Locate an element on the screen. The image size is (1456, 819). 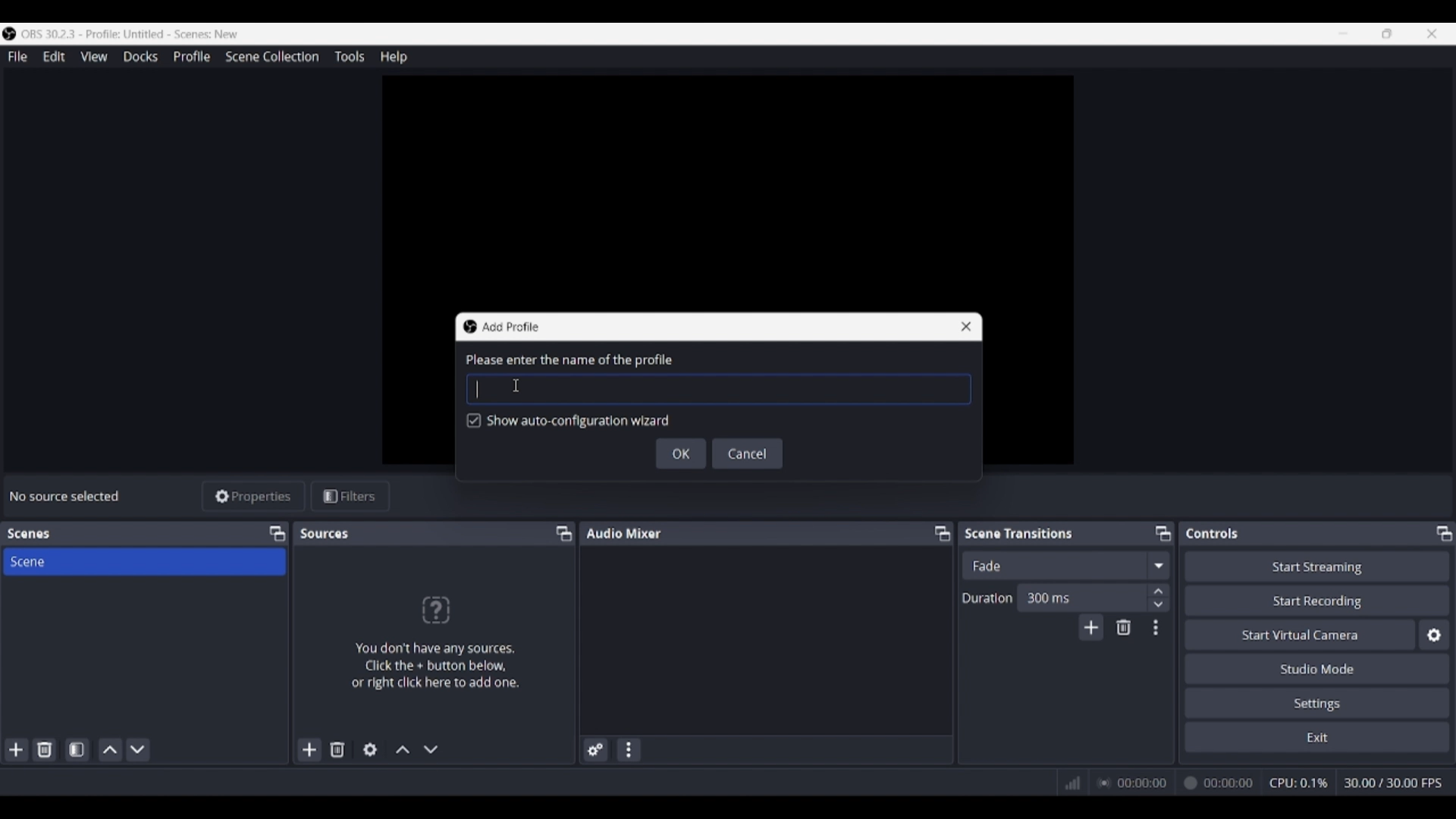
File menu is located at coordinates (17, 56).